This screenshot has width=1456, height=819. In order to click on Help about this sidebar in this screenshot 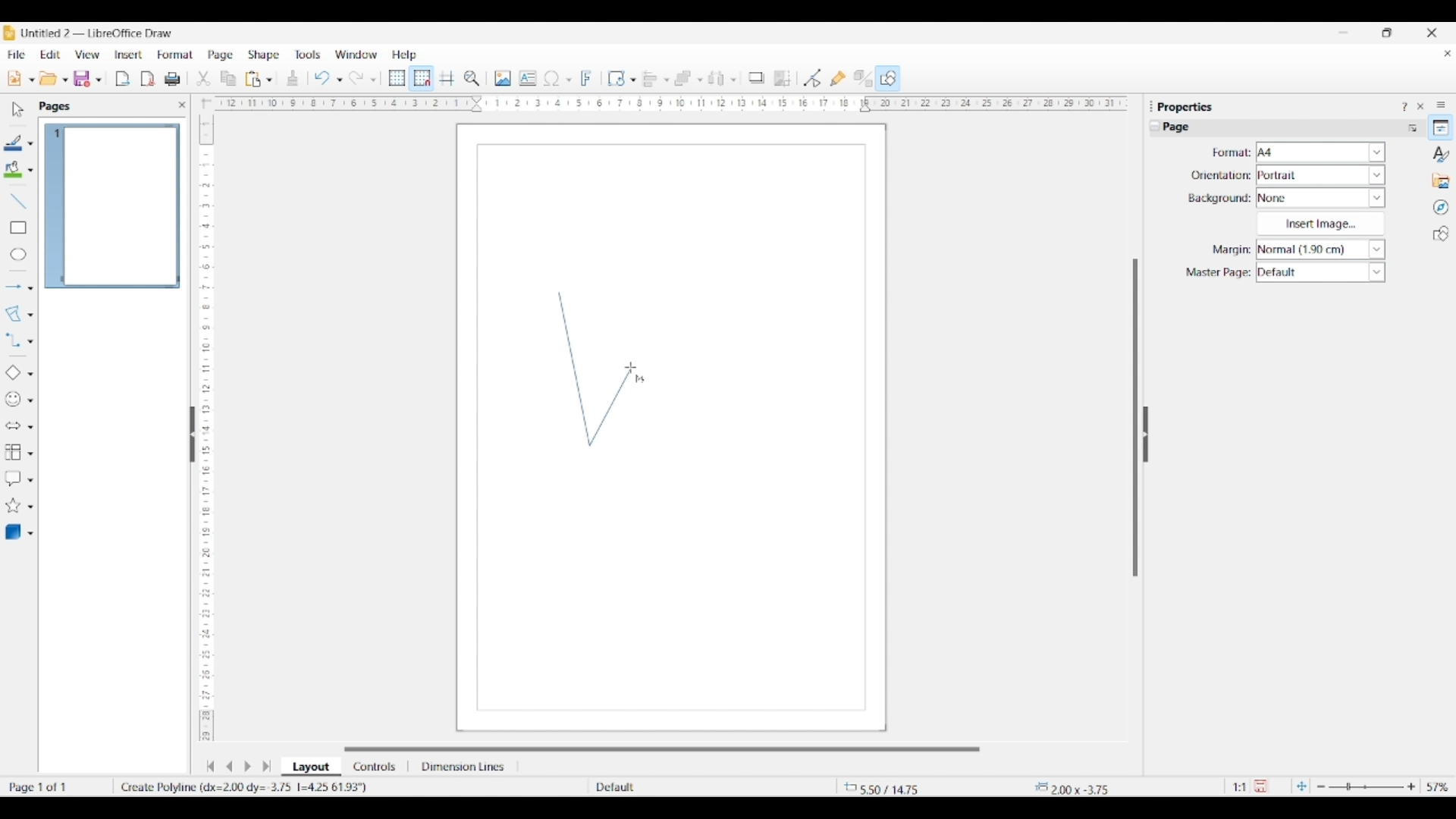, I will do `click(1404, 106)`.